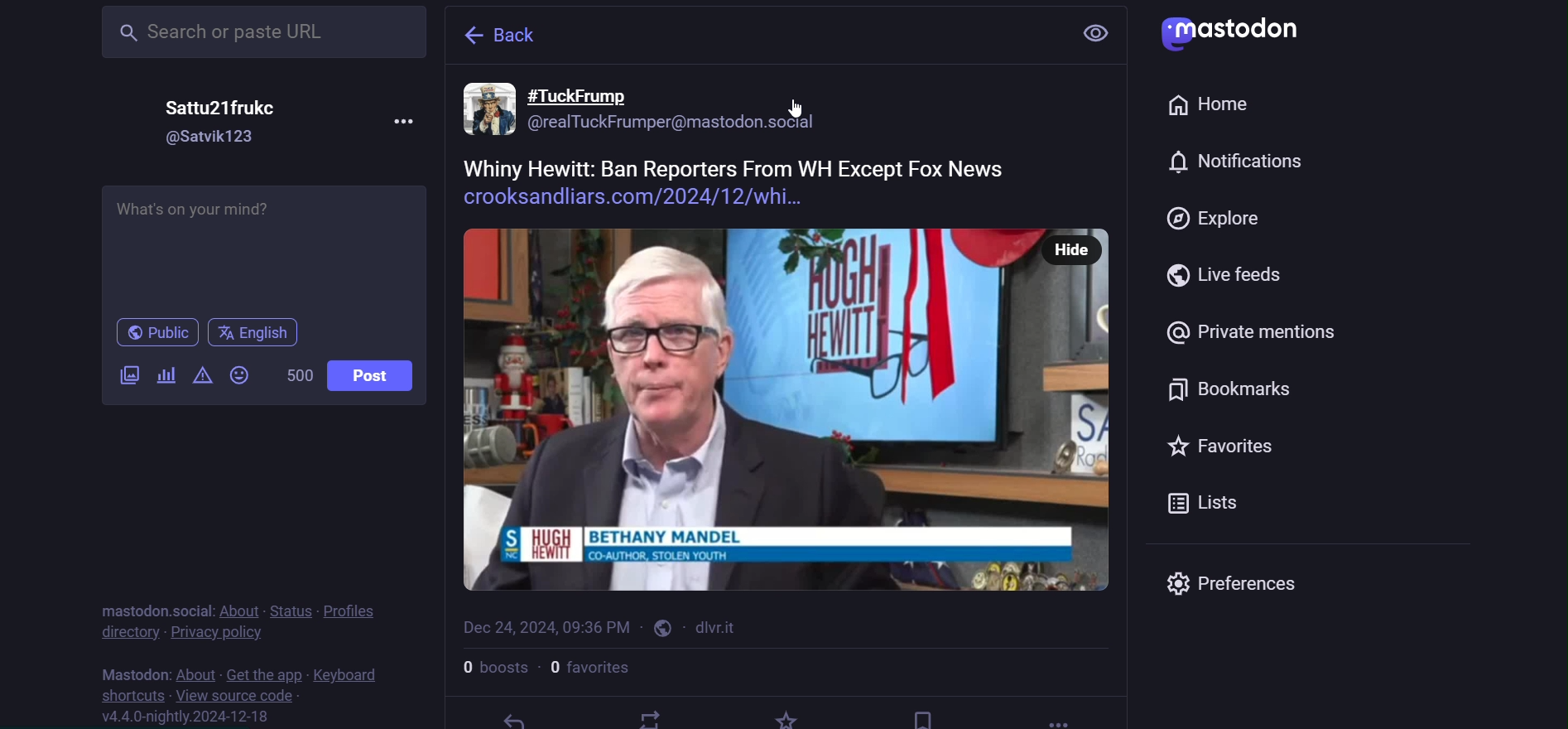 The image size is (1568, 729). I want to click on notifications, so click(1232, 163).